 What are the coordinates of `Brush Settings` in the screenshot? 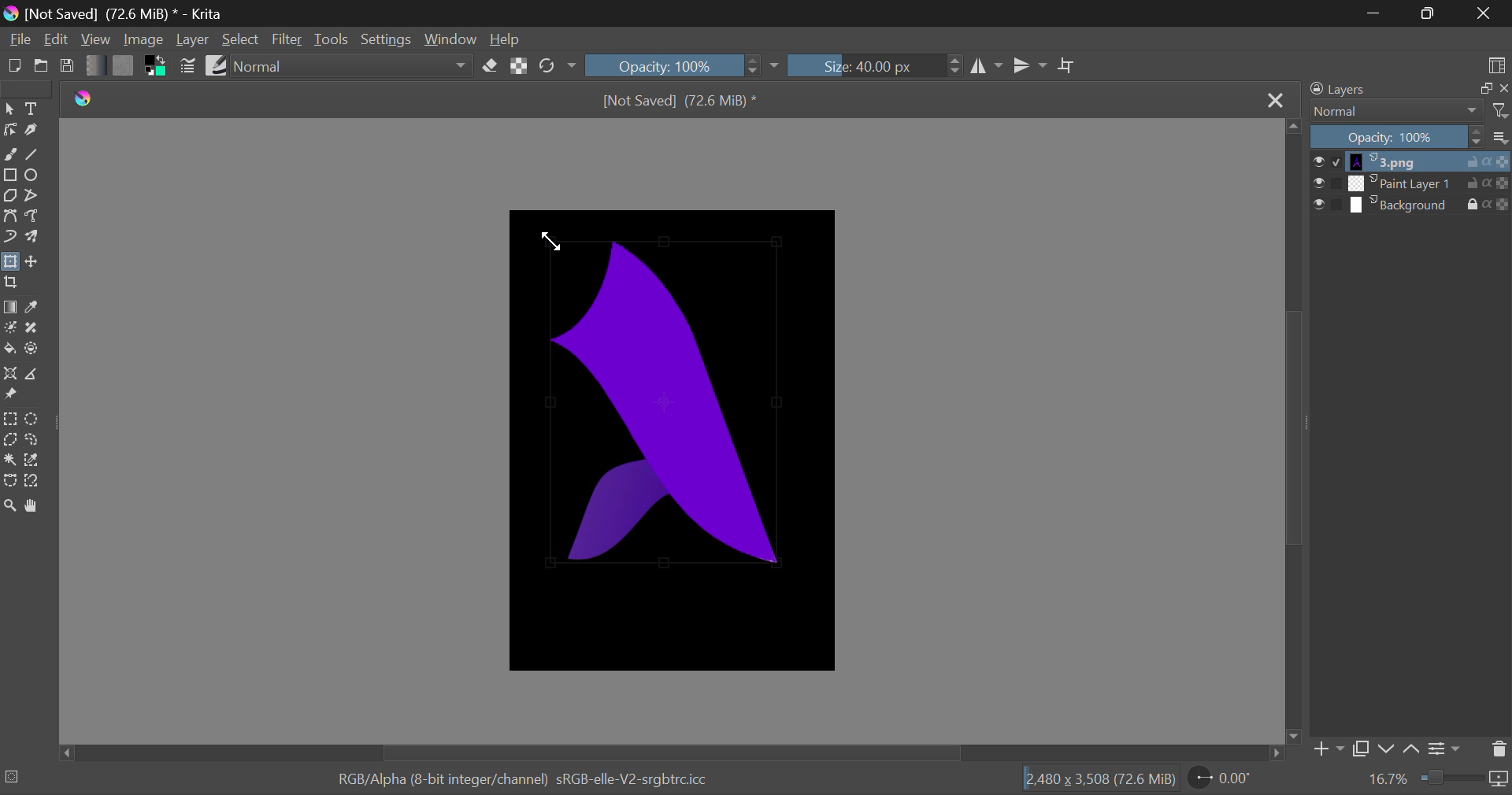 It's located at (189, 68).